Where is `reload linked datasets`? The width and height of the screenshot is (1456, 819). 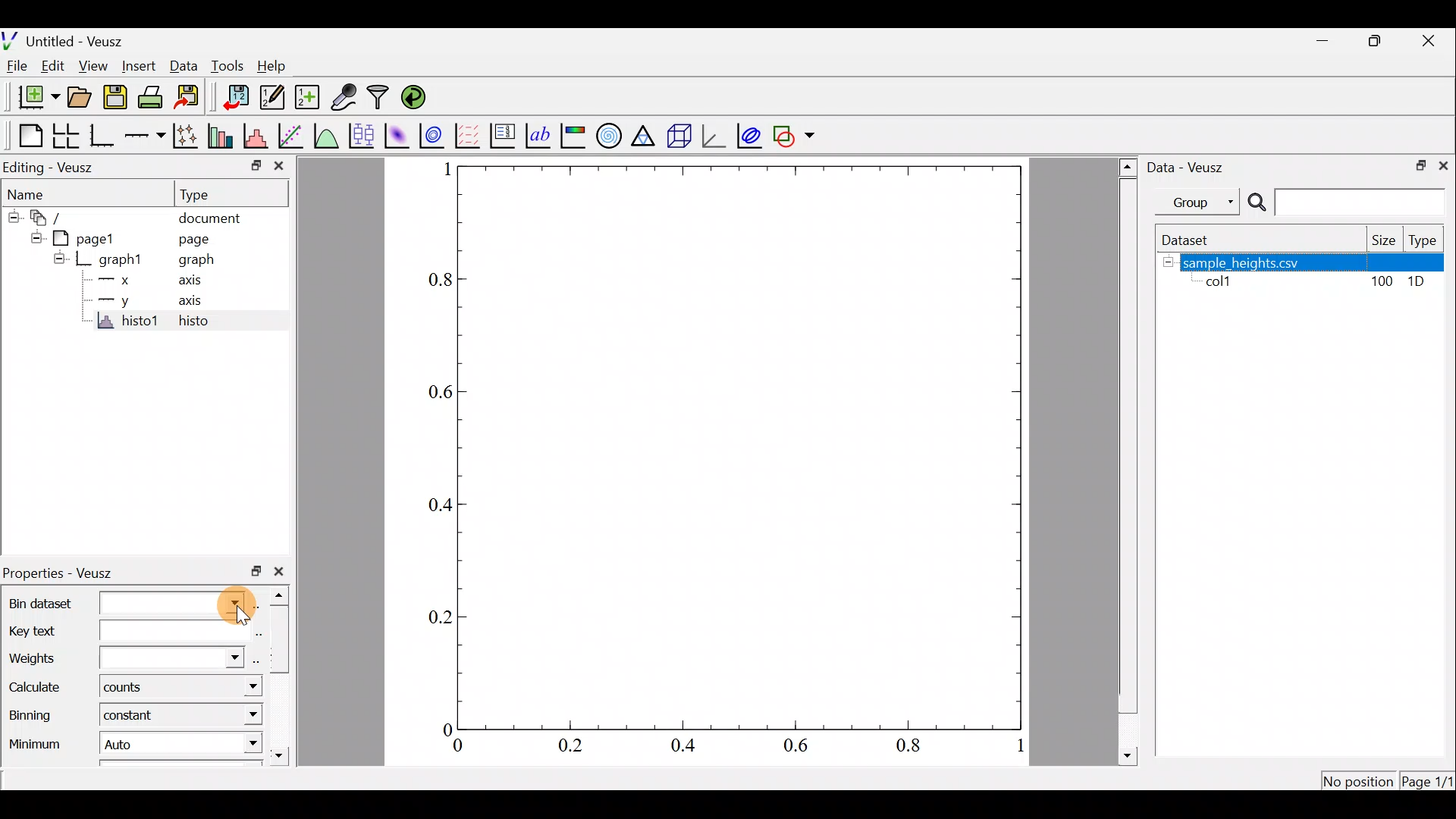
reload linked datasets is located at coordinates (420, 97).